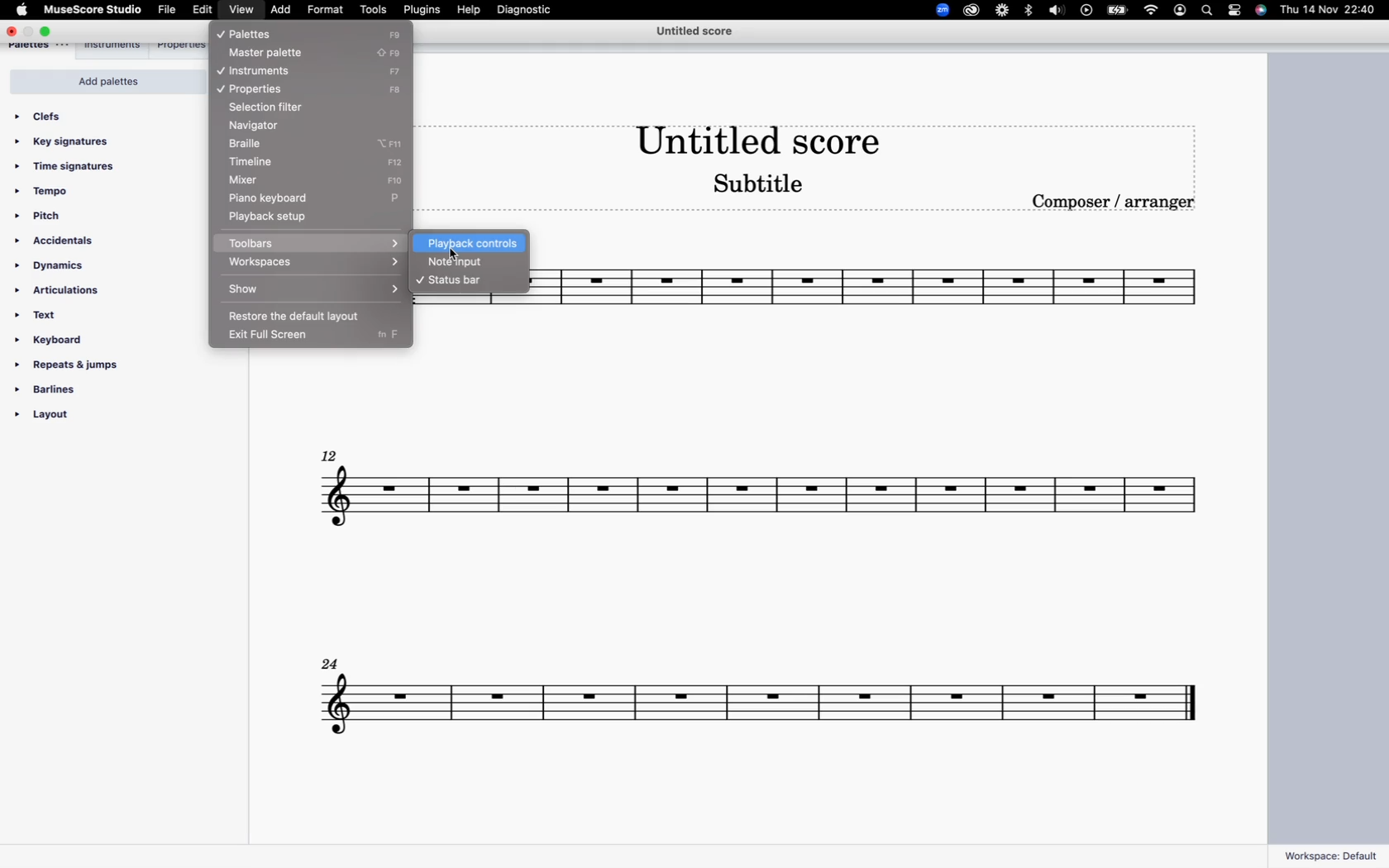 This screenshot has width=1389, height=868. Describe the element at coordinates (267, 32) in the screenshot. I see `palettes` at that location.